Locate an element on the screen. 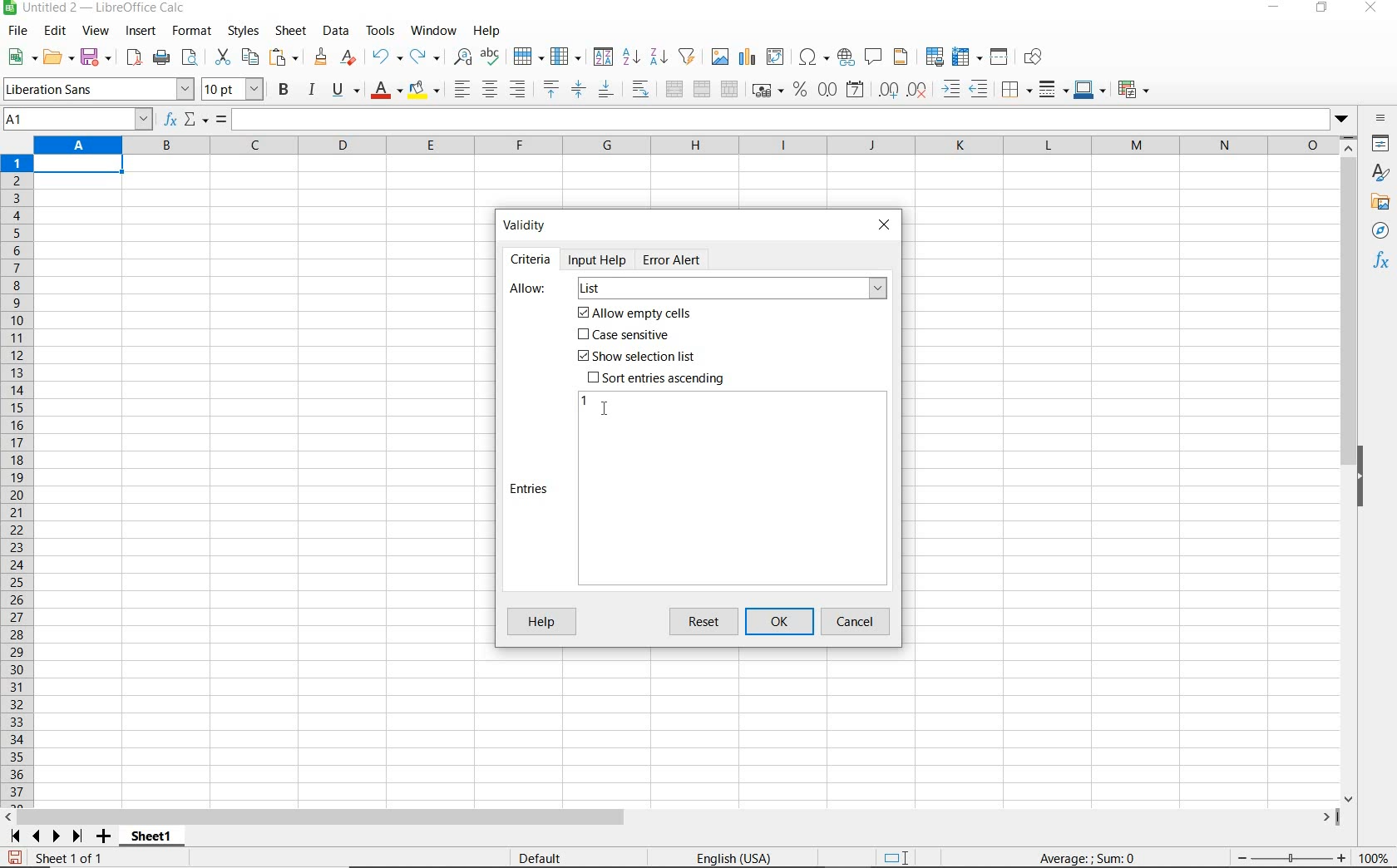 The width and height of the screenshot is (1397, 868). coditional is located at coordinates (1132, 90).